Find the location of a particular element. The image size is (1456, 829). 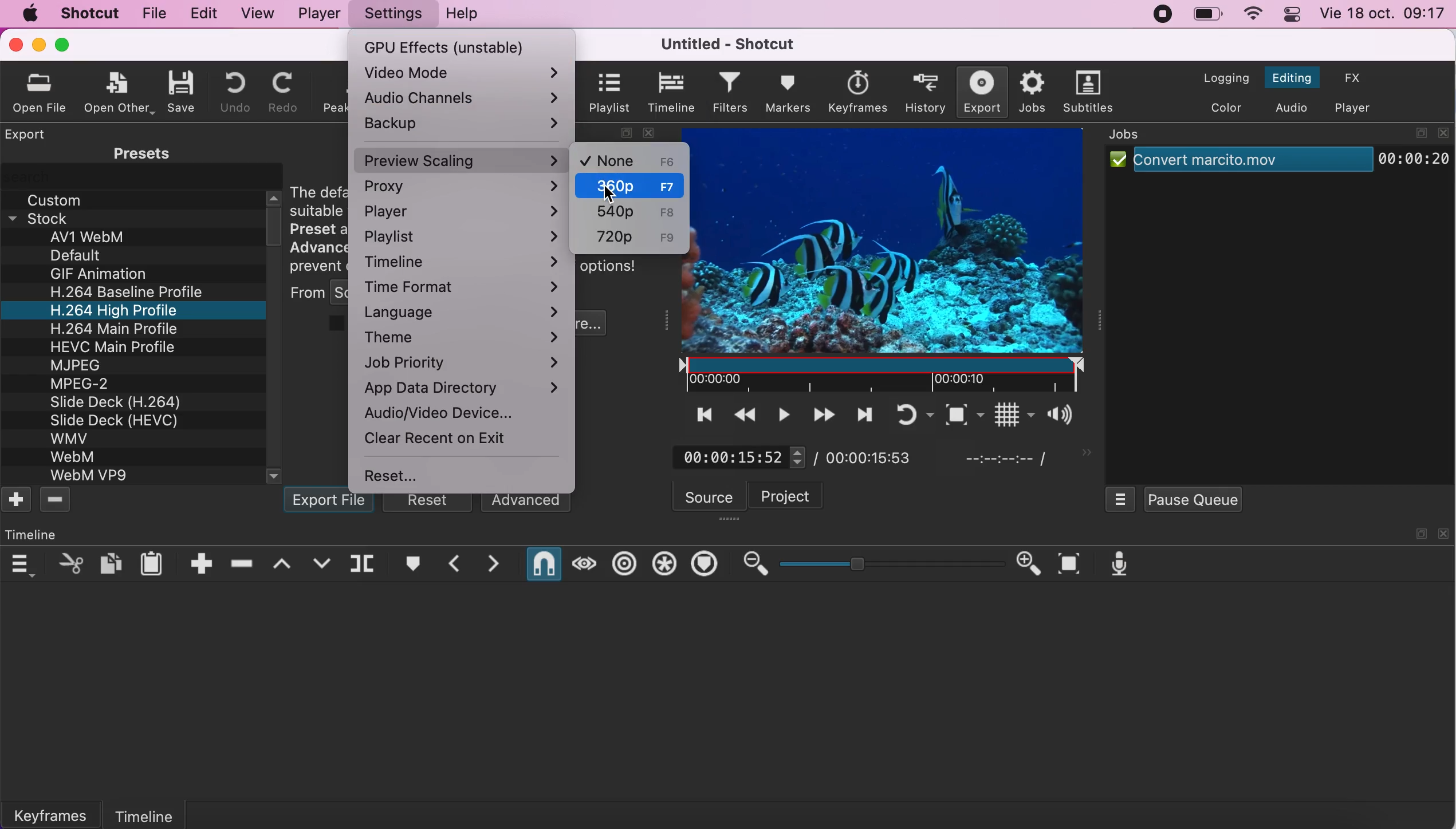

redo is located at coordinates (283, 92).